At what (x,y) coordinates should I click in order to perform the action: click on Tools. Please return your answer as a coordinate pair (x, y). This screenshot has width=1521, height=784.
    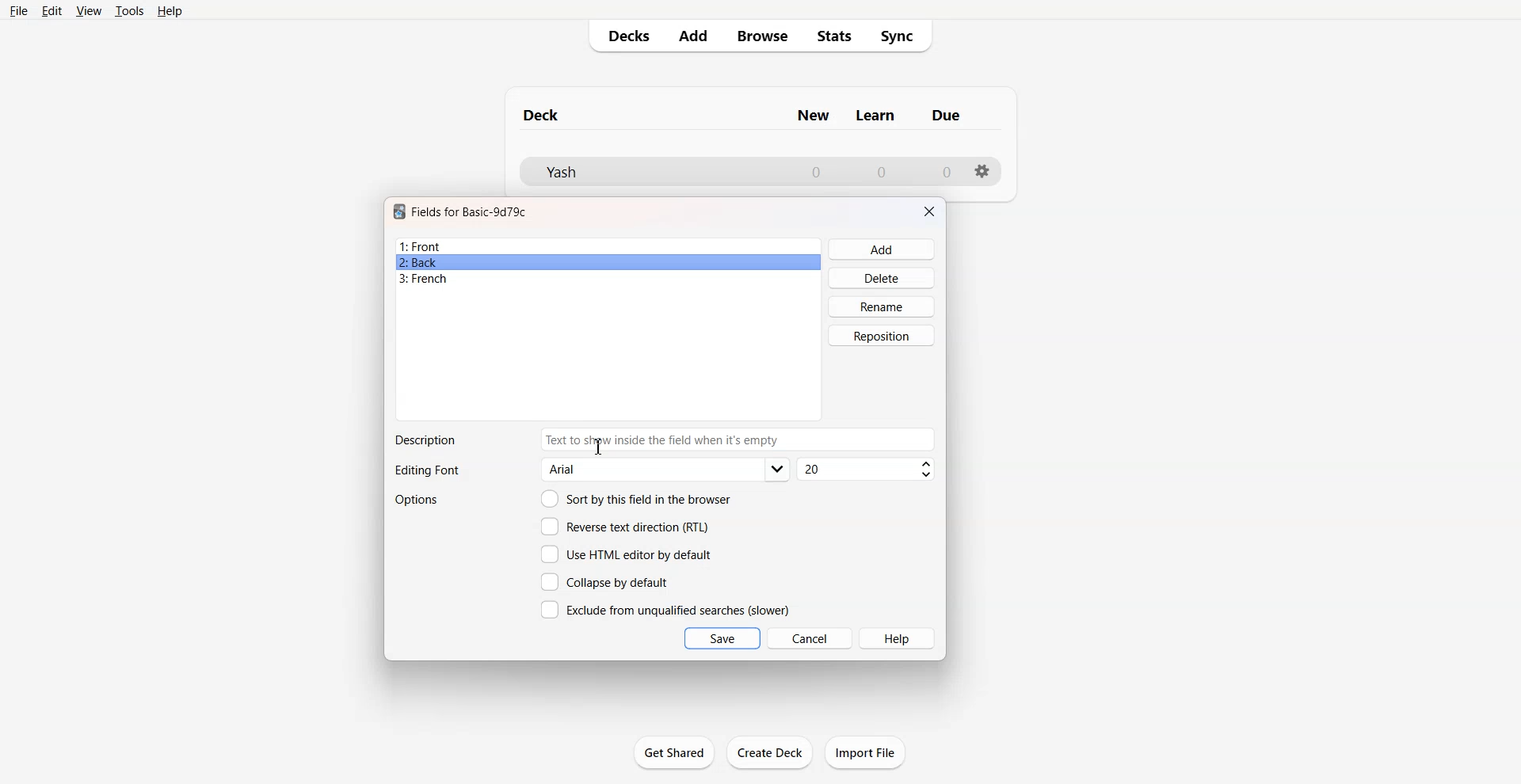
    Looking at the image, I should click on (129, 10).